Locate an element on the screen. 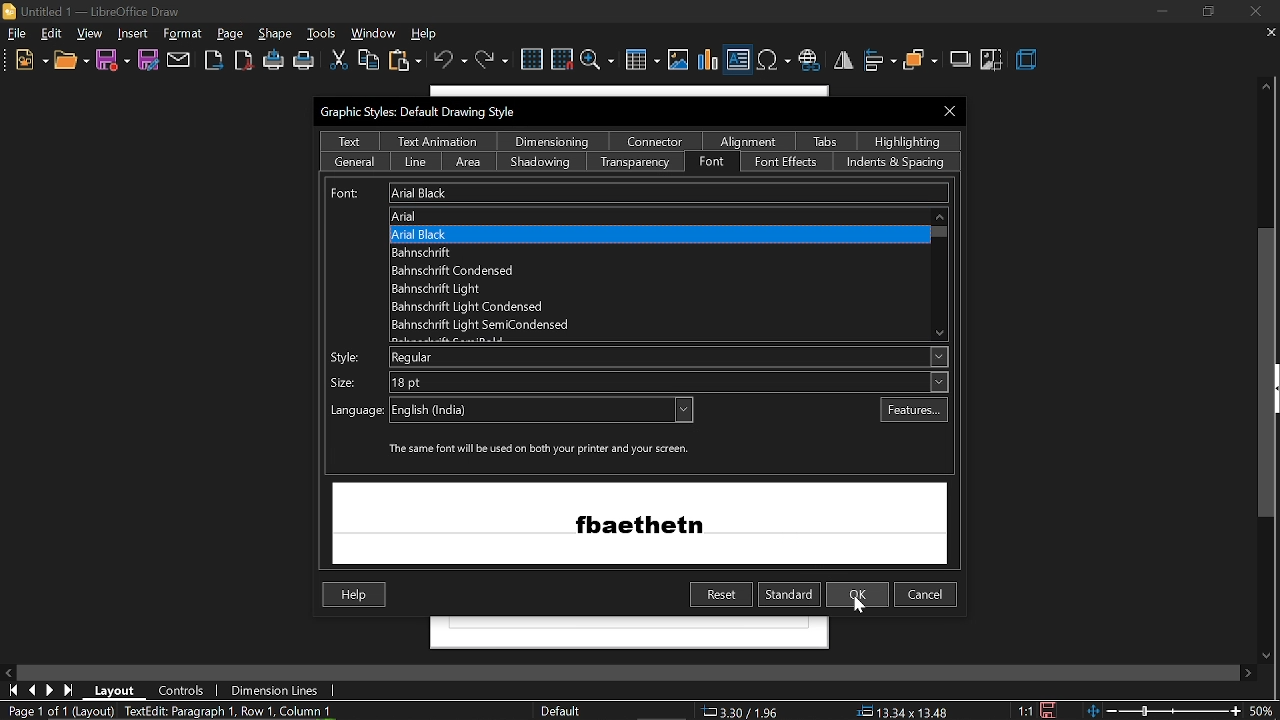 The width and height of the screenshot is (1280, 720). insert image is located at coordinates (679, 59).